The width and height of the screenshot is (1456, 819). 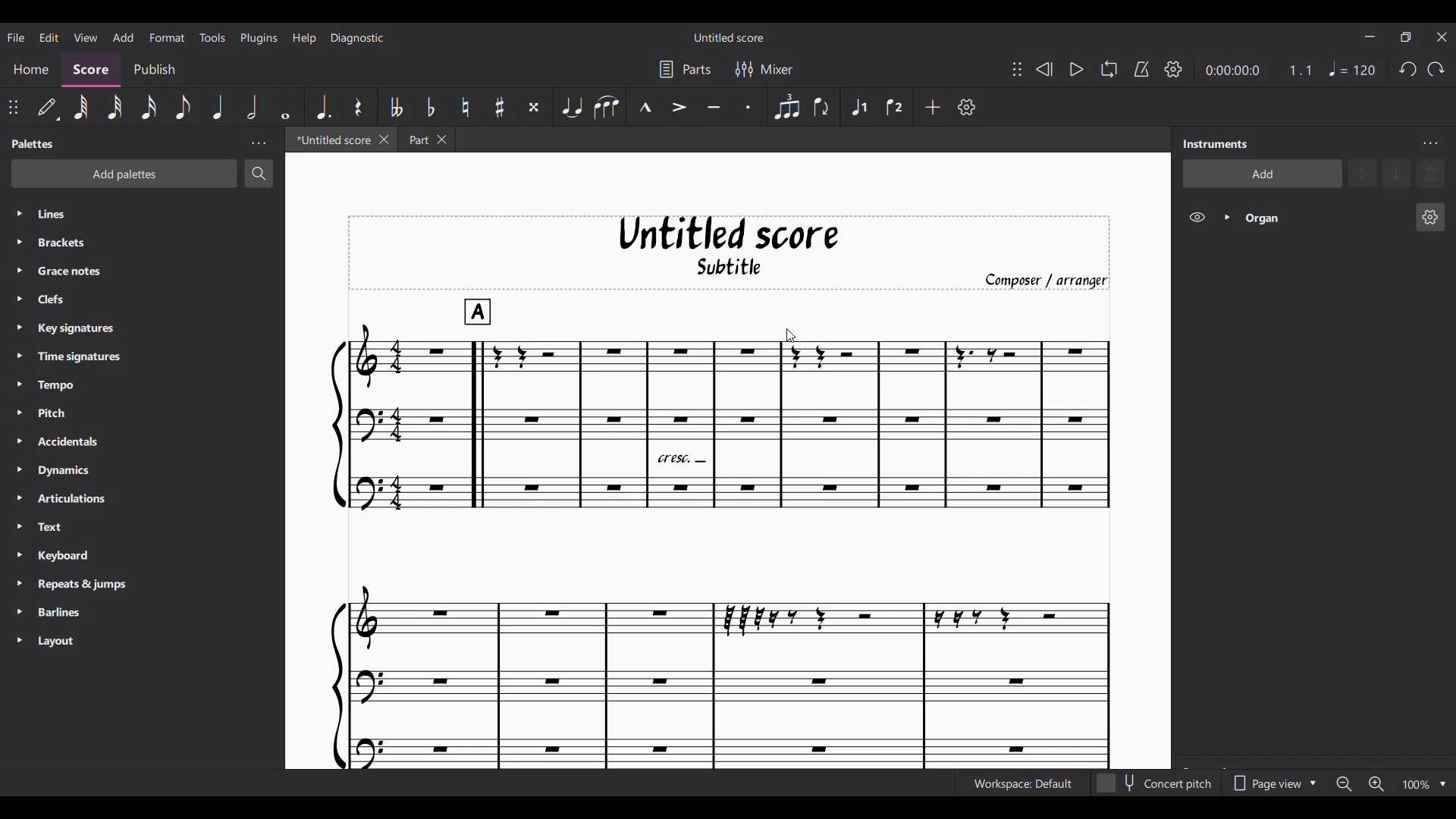 What do you see at coordinates (1109, 69) in the screenshot?
I see `Looping playback` at bounding box center [1109, 69].